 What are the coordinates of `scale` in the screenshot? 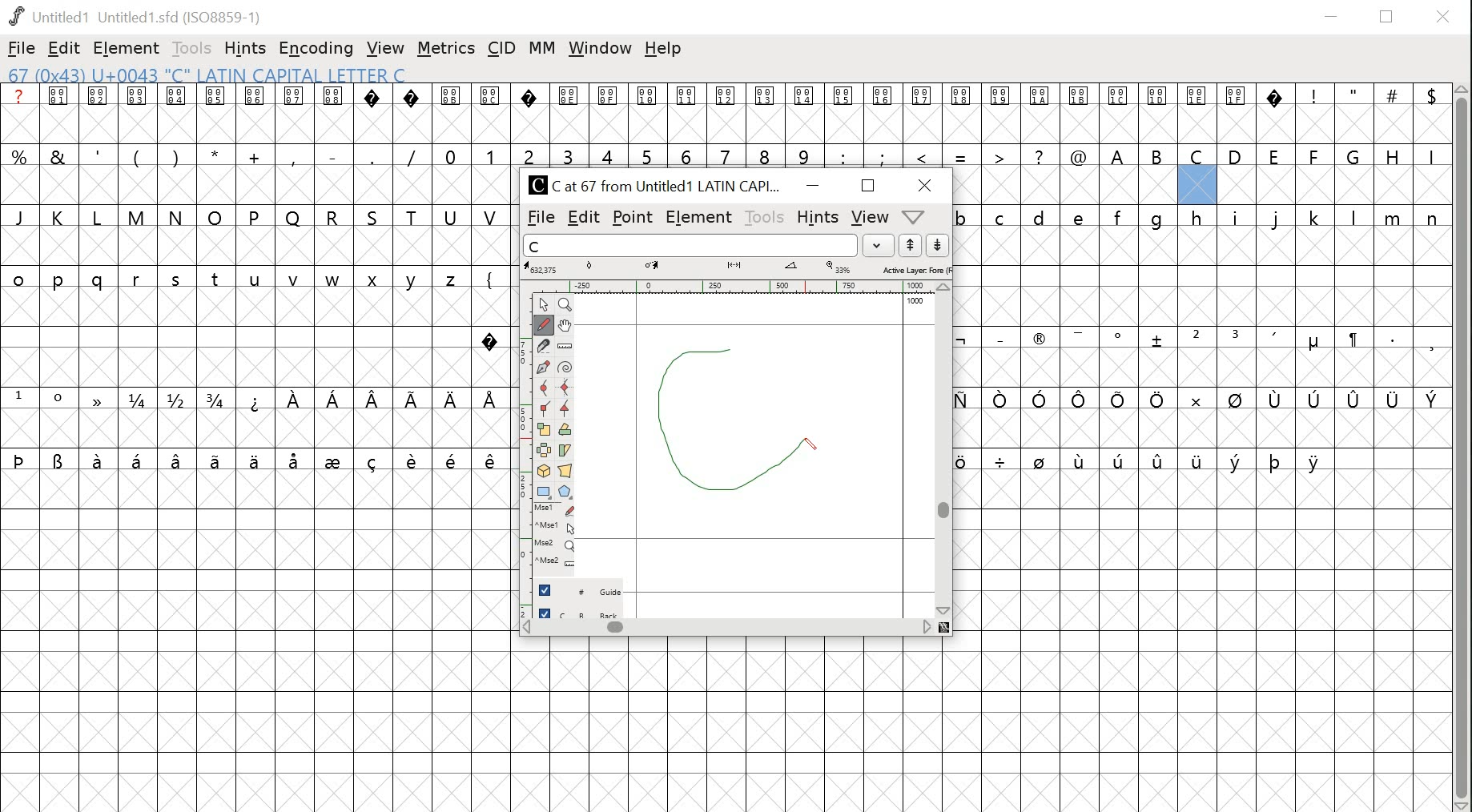 It's located at (546, 429).